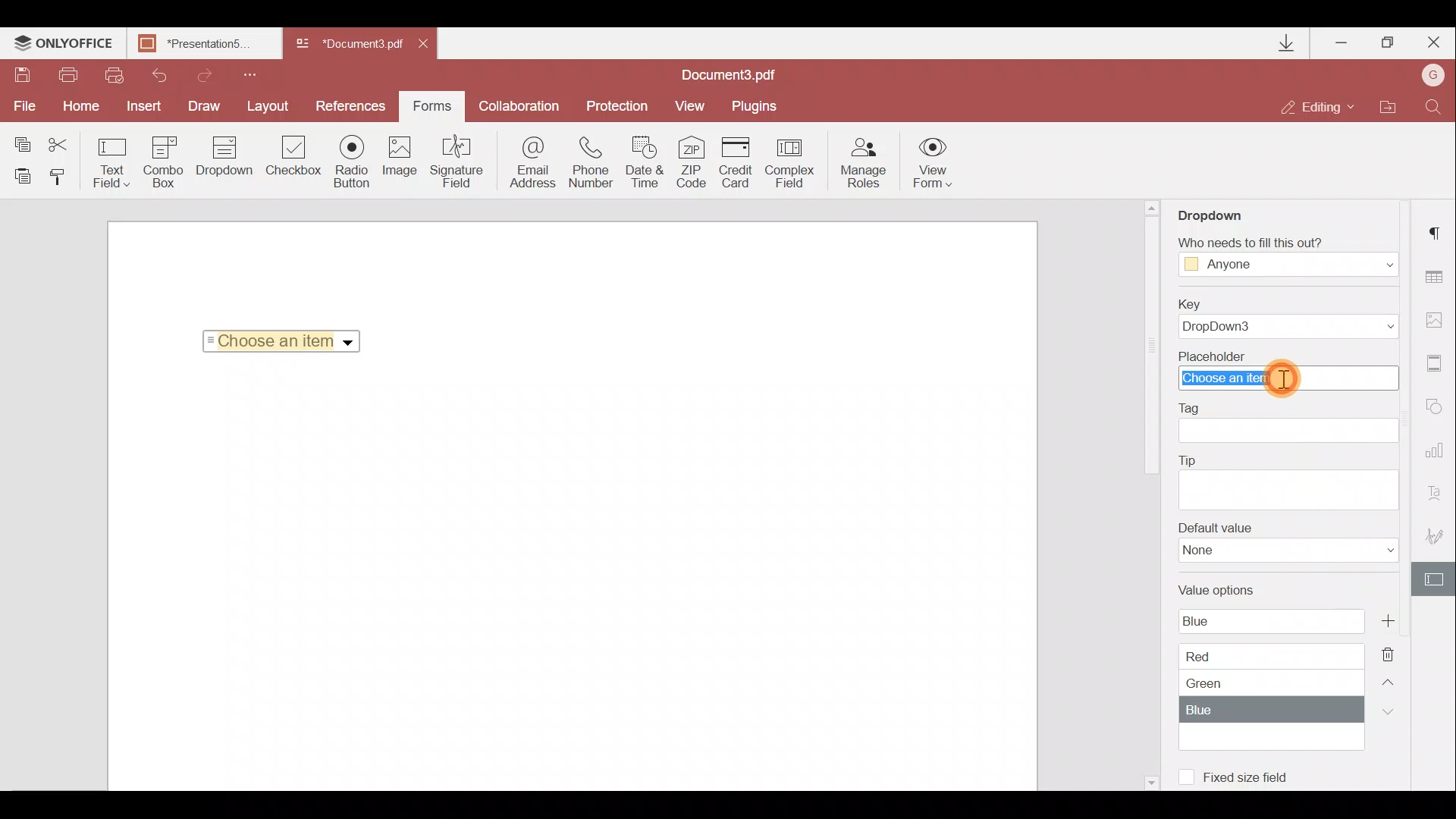  Describe the element at coordinates (85, 107) in the screenshot. I see `Home` at that location.